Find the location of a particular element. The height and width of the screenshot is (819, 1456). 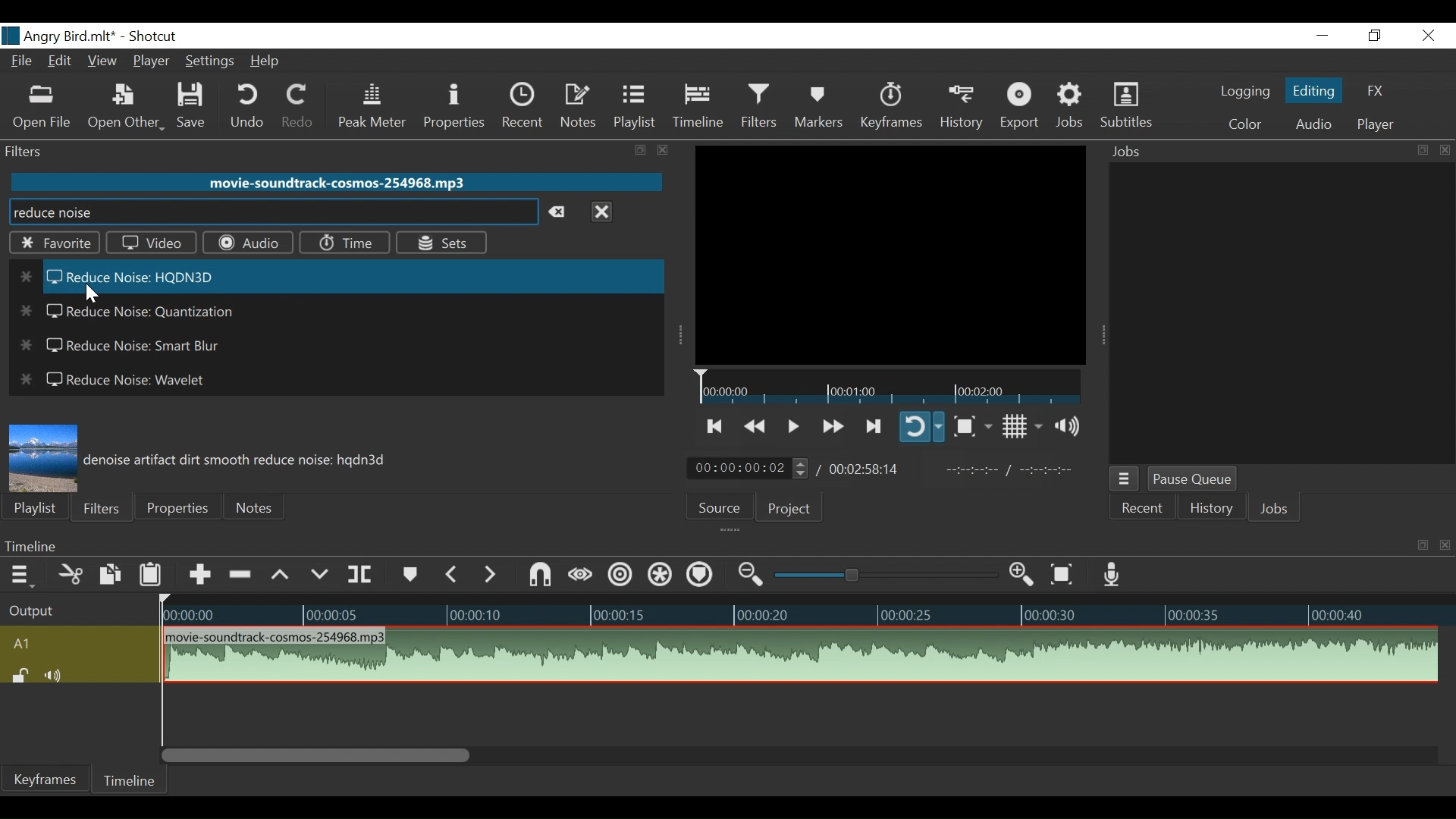

Redo is located at coordinates (293, 107).